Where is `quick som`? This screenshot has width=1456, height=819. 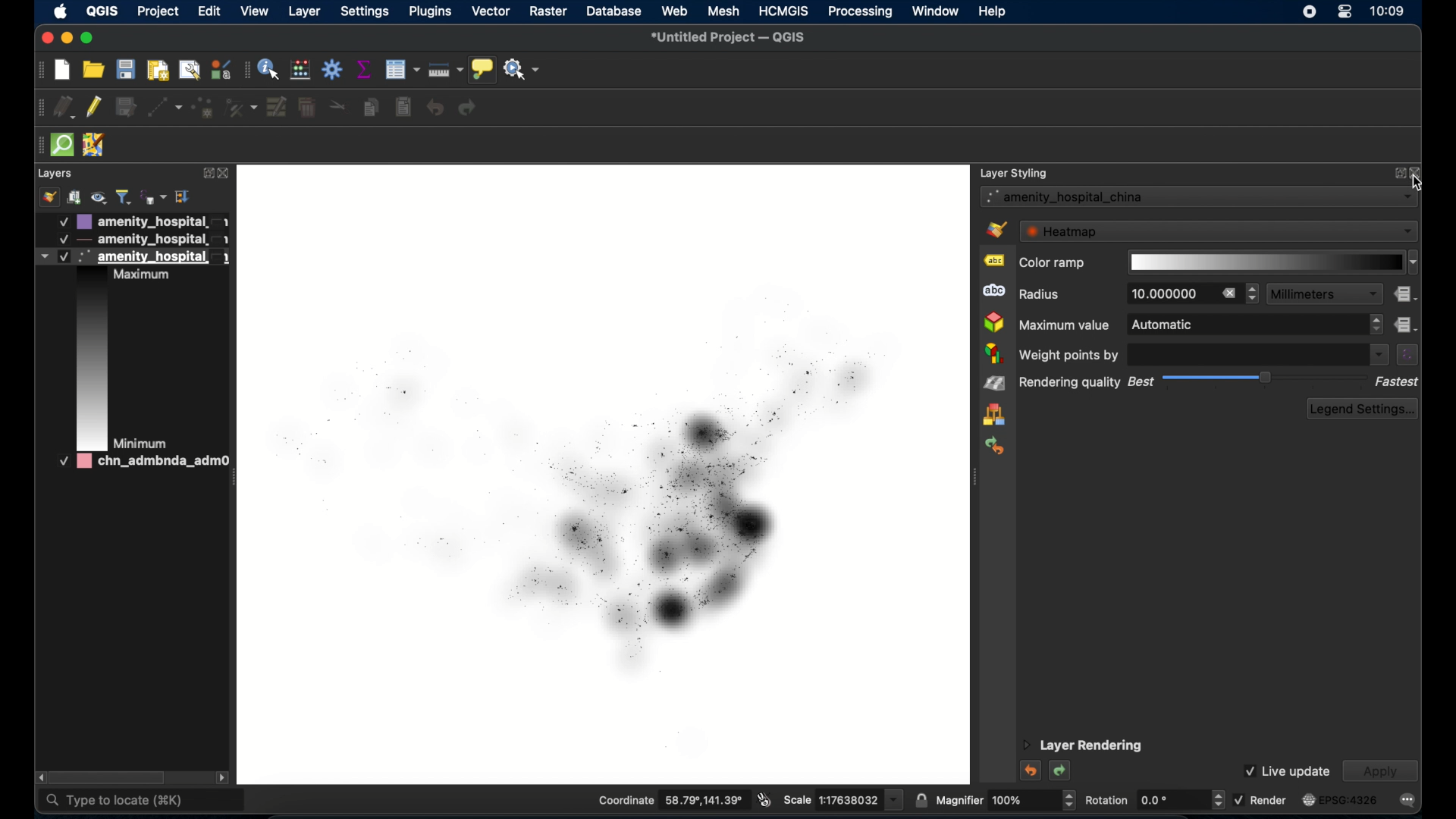
quick som is located at coordinates (64, 146).